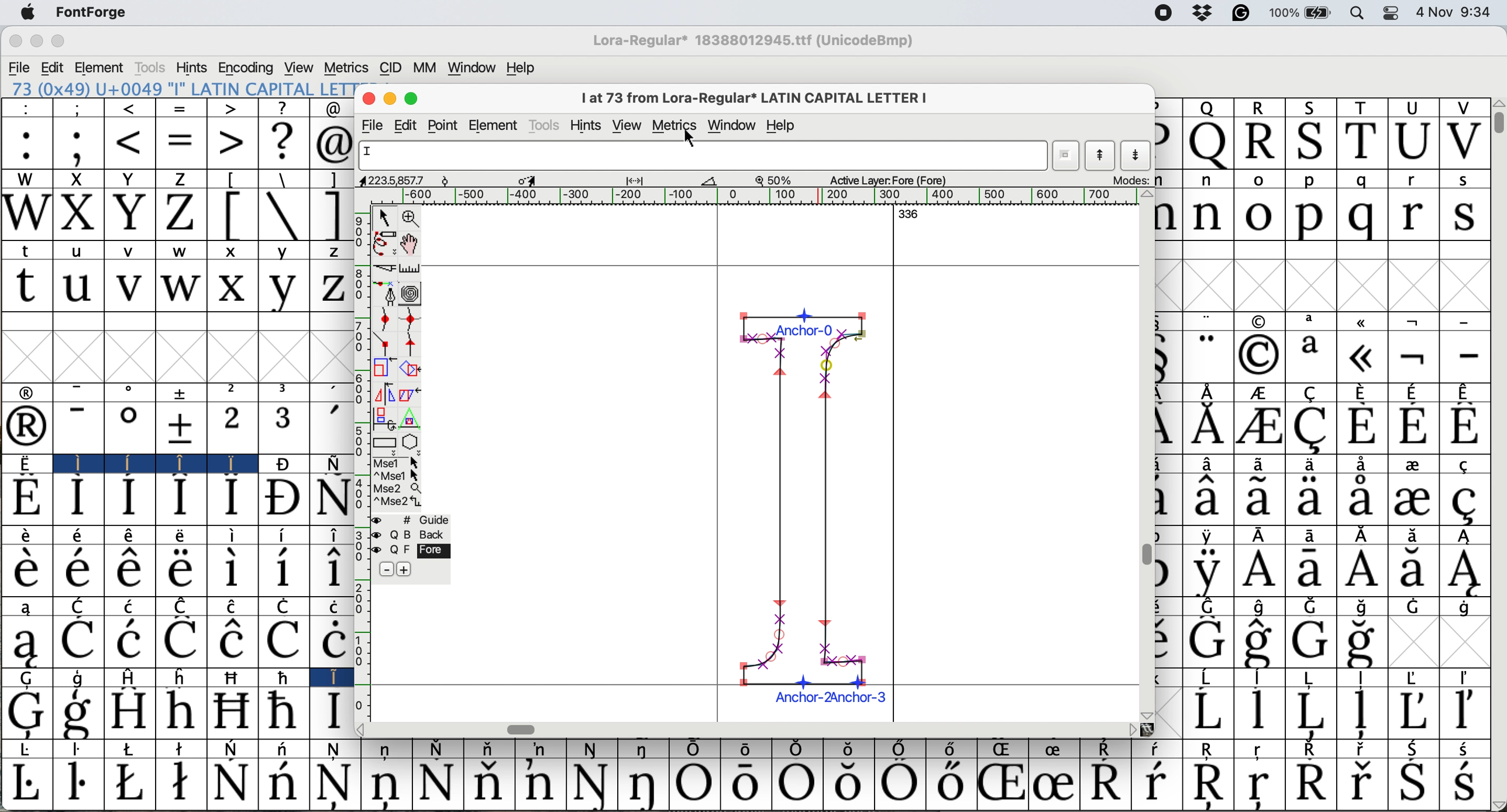 This screenshot has height=812, width=1507. Describe the element at coordinates (100, 67) in the screenshot. I see `element` at that location.